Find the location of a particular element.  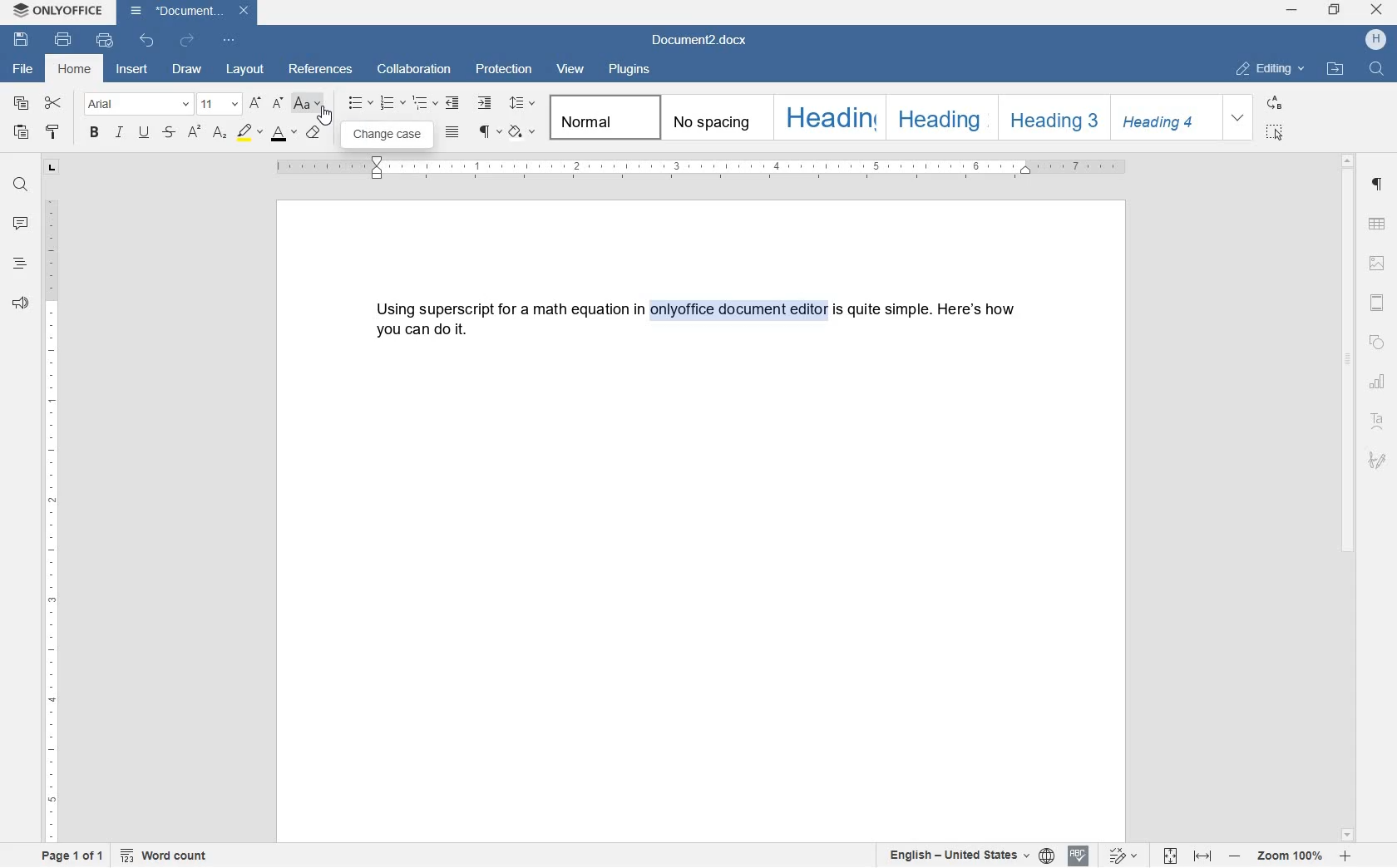

Text Art is located at coordinates (1378, 422).